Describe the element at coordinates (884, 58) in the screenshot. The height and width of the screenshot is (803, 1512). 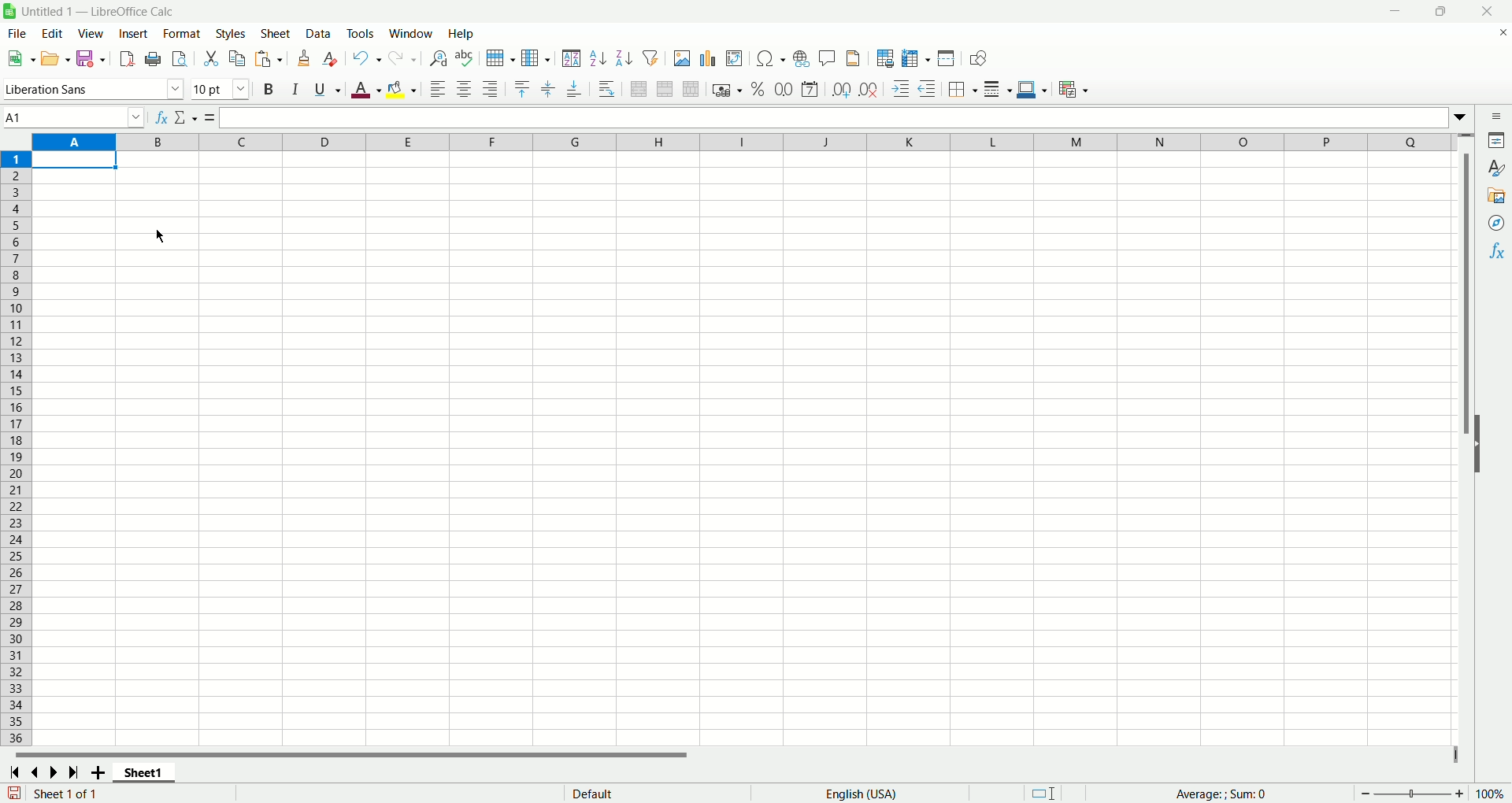
I see `define print area` at that location.